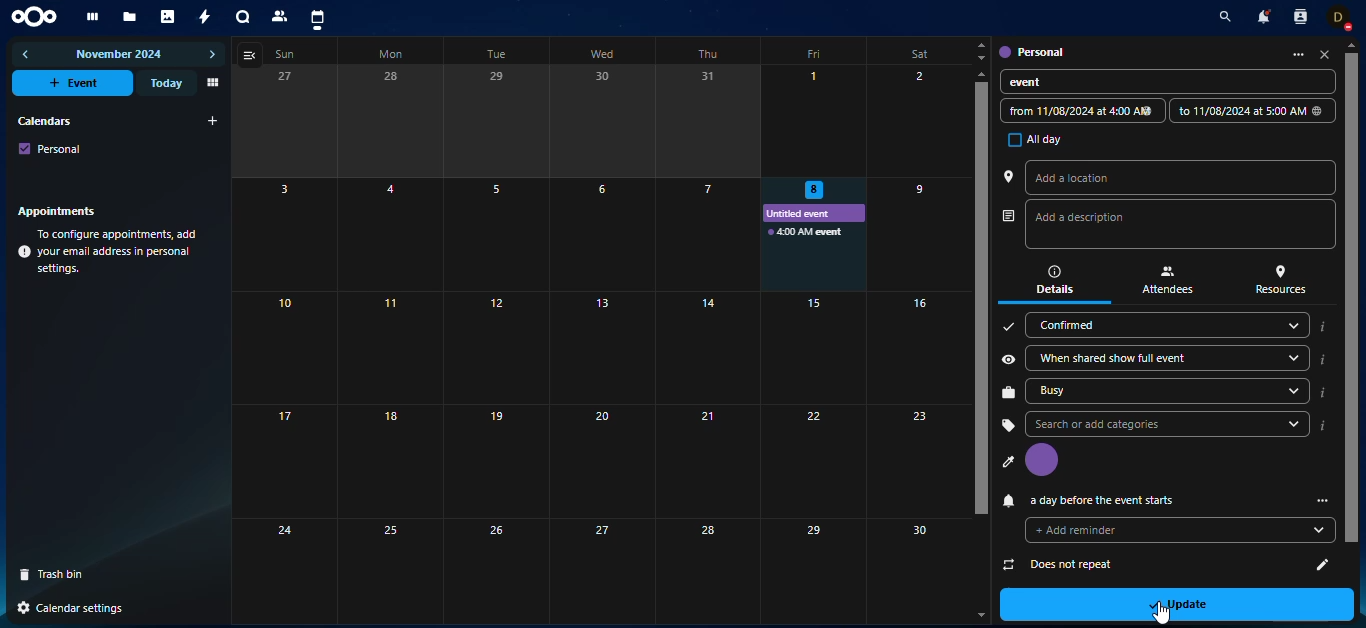  I want to click on 28, so click(391, 120).